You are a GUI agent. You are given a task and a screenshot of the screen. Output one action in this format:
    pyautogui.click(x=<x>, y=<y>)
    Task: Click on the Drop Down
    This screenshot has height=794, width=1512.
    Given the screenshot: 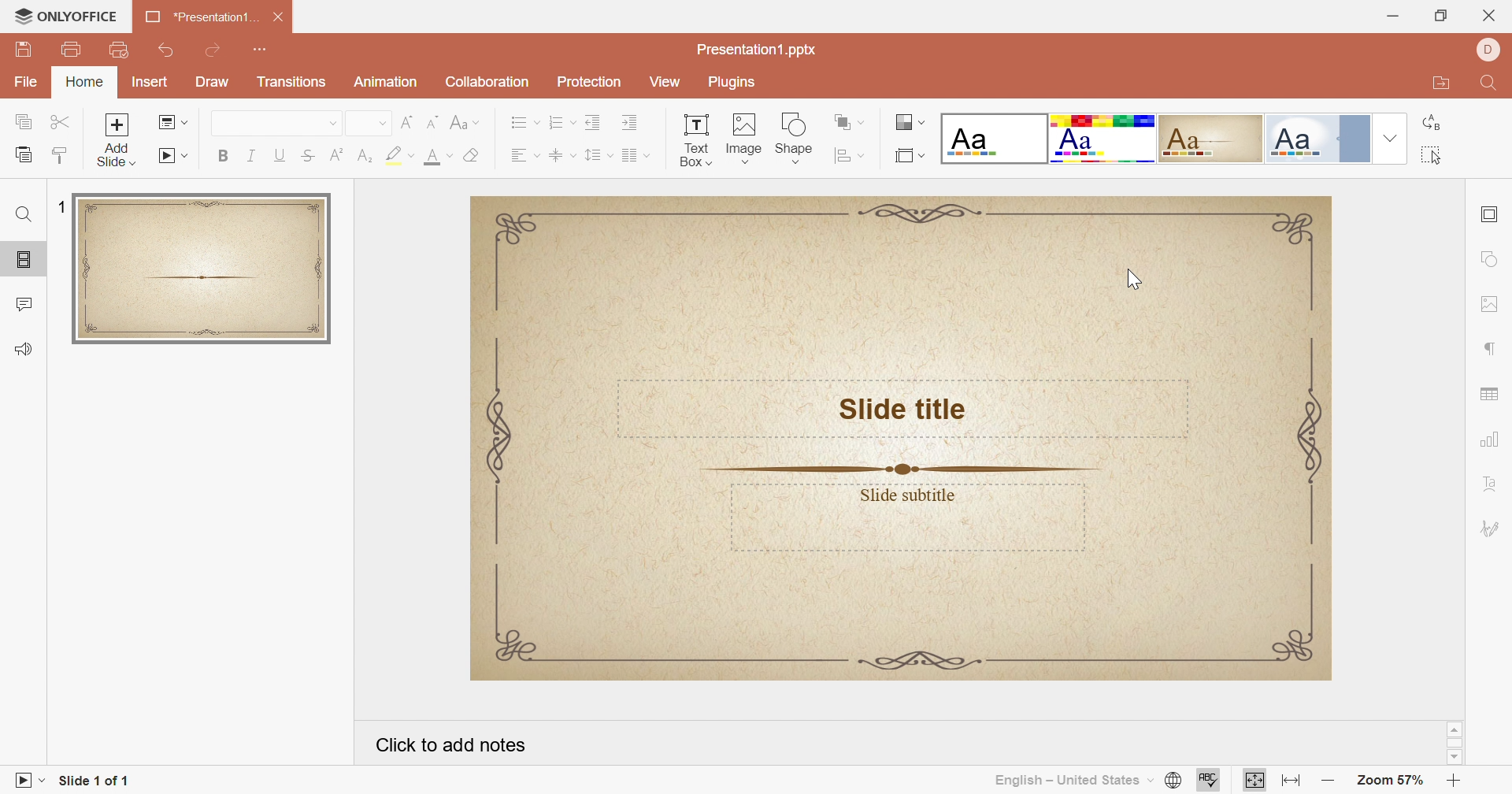 What is the action you would take?
    pyautogui.click(x=409, y=155)
    